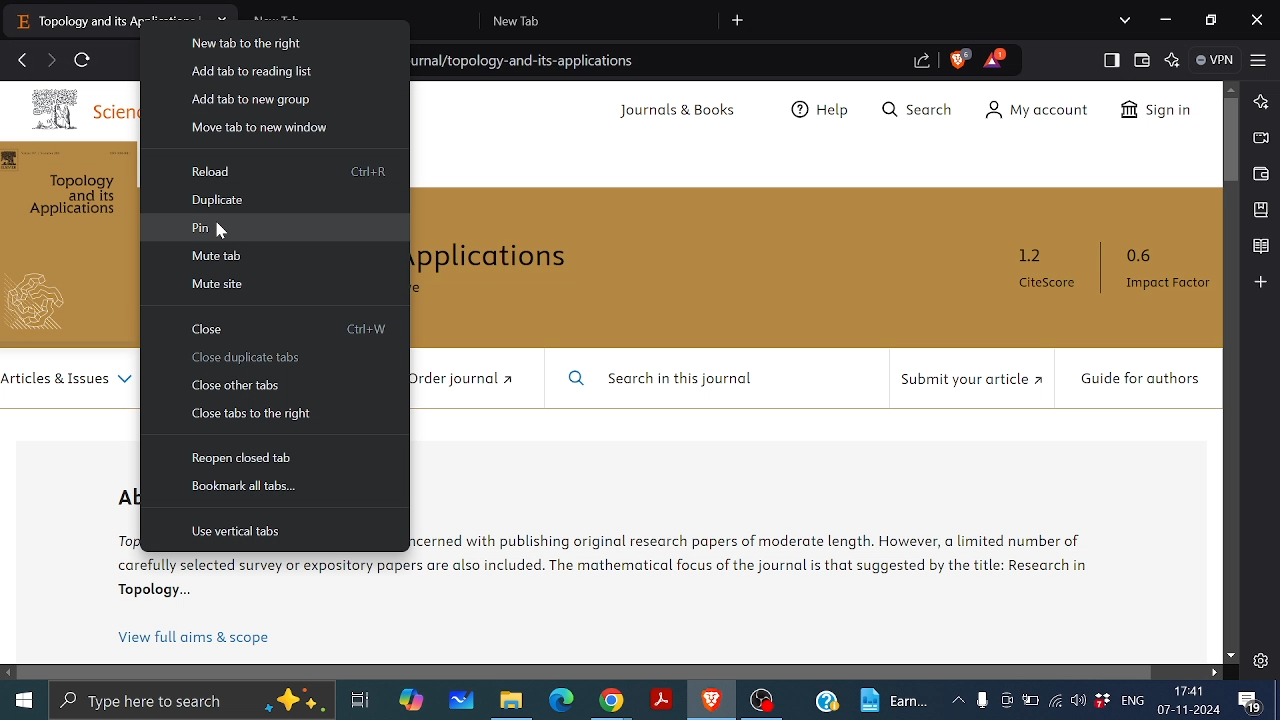  I want to click on info, so click(255, 581).